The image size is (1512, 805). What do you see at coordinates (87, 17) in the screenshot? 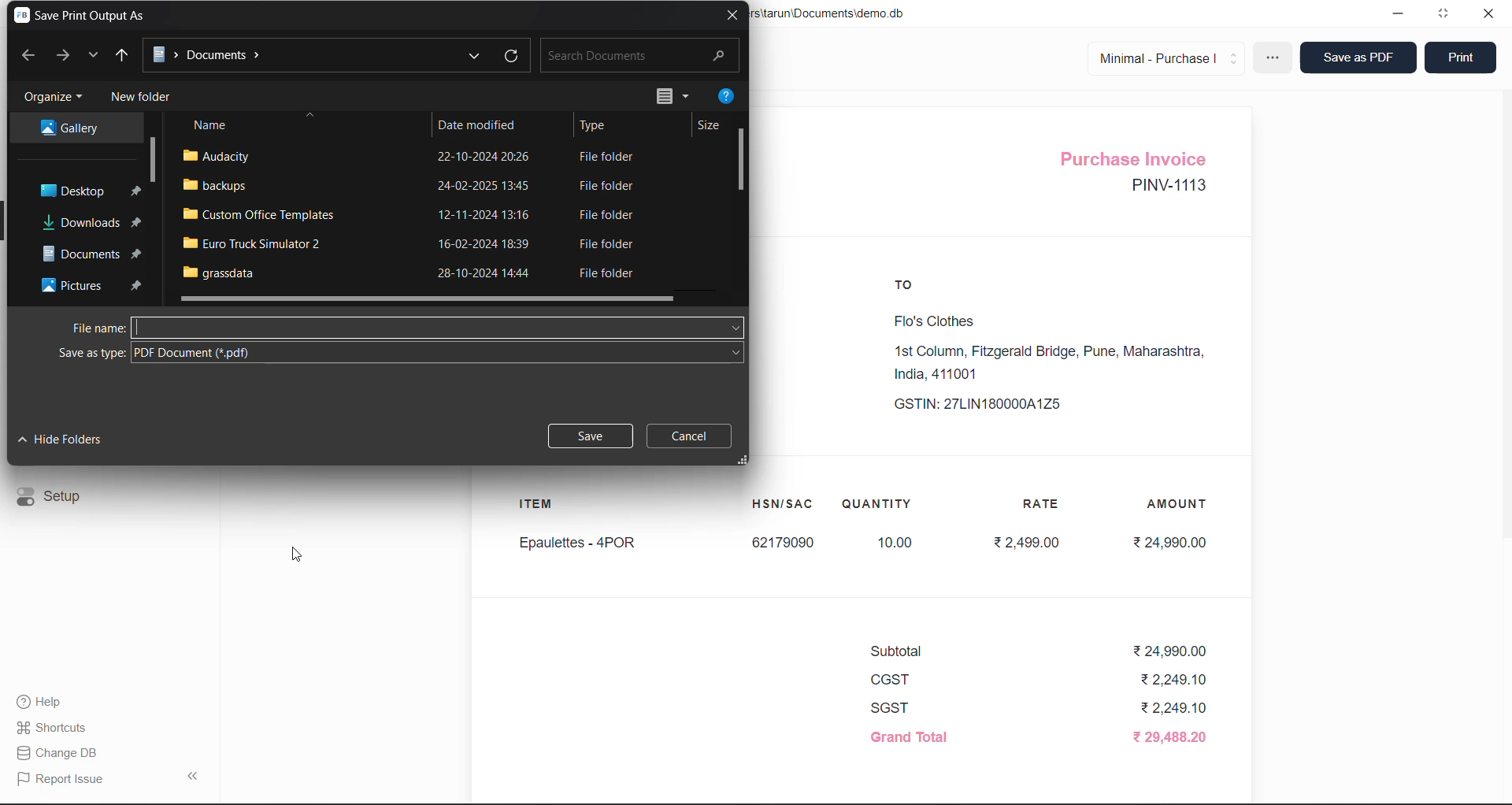
I see ` Save Print Output As` at bounding box center [87, 17].